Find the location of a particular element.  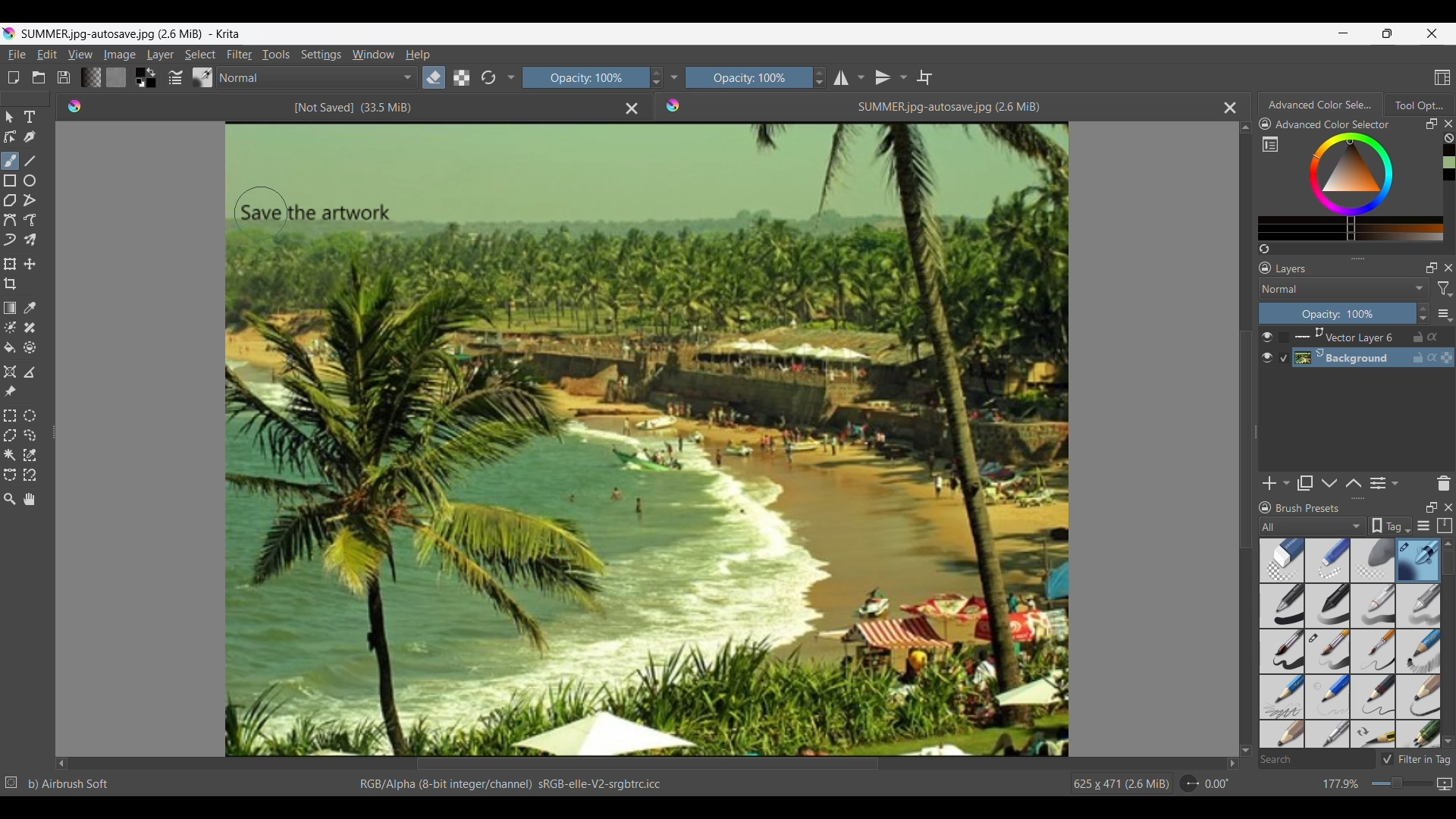

Storage resources is located at coordinates (1443, 526).